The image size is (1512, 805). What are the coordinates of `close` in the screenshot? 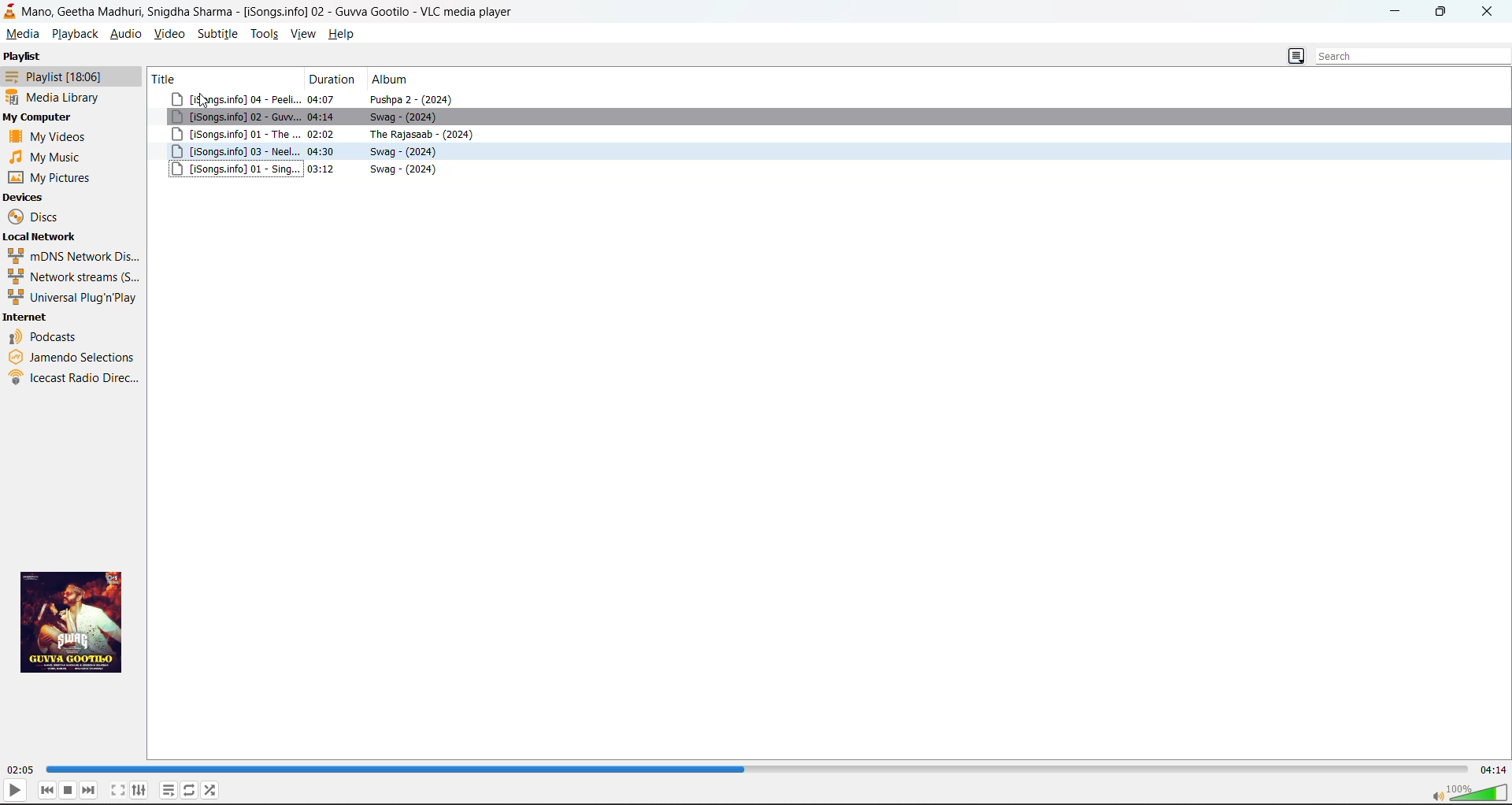 It's located at (1486, 13).